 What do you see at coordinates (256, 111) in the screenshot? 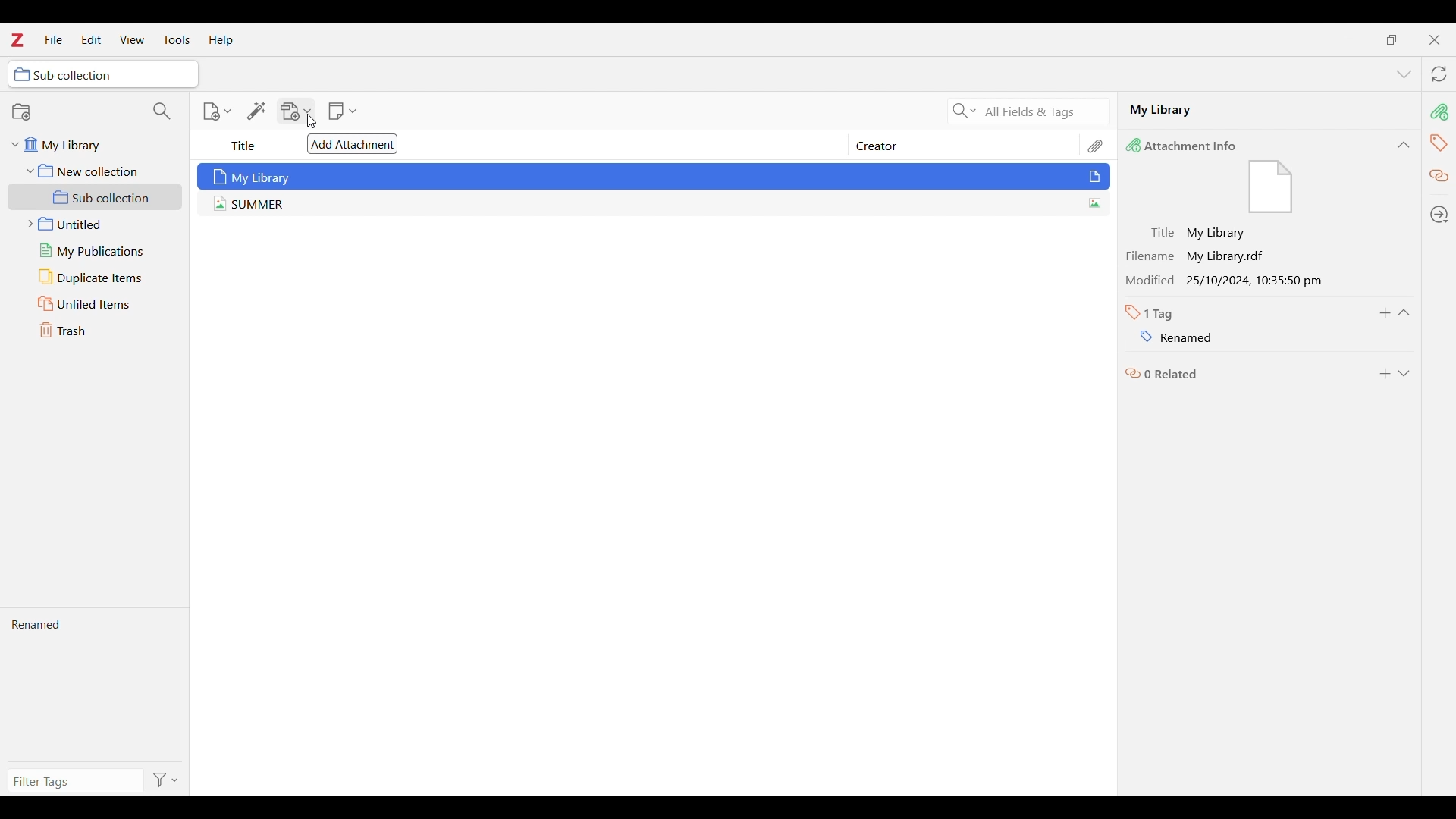
I see `Add item/s by identifier` at bounding box center [256, 111].